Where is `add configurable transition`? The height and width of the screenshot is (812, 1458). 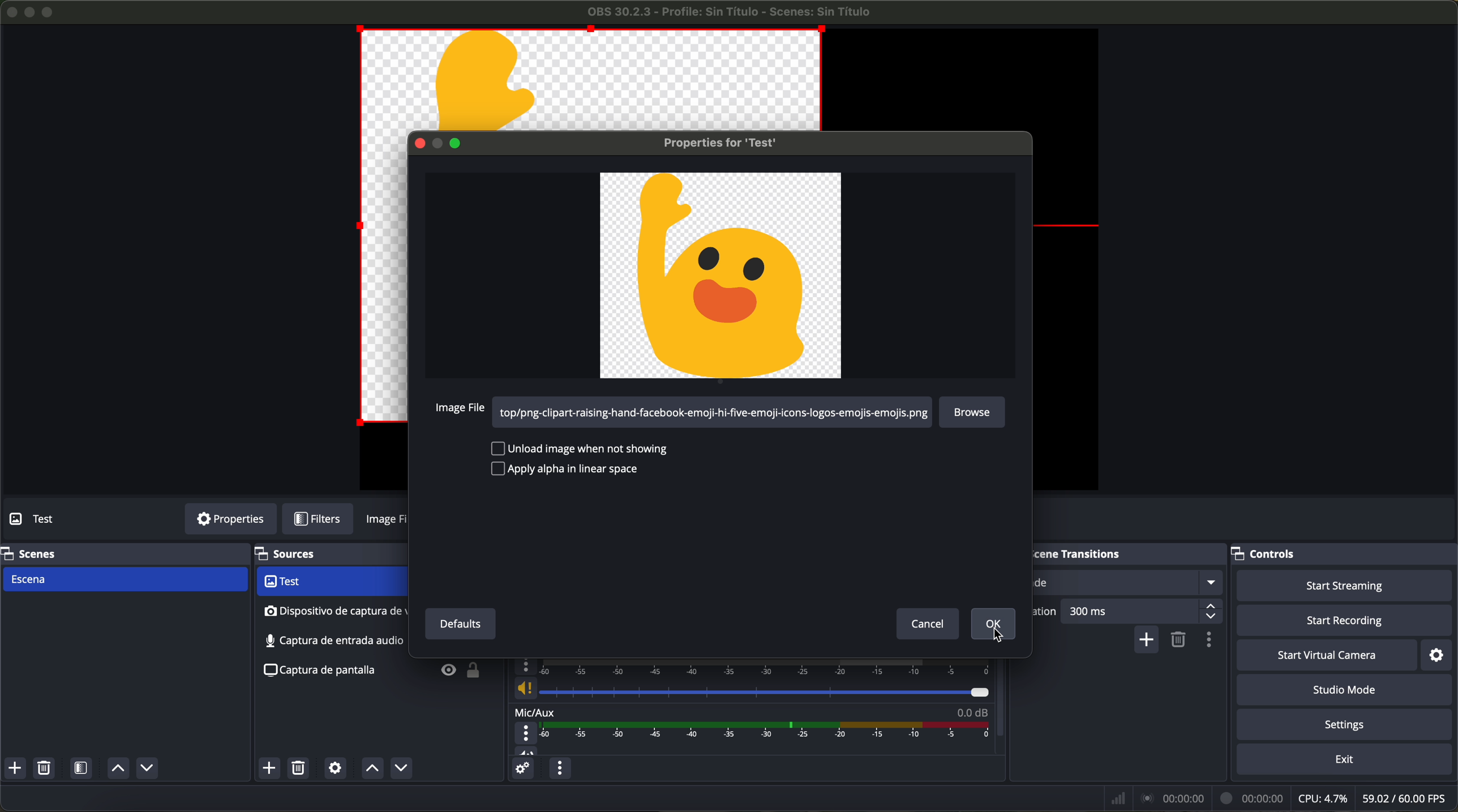 add configurable transition is located at coordinates (1147, 641).